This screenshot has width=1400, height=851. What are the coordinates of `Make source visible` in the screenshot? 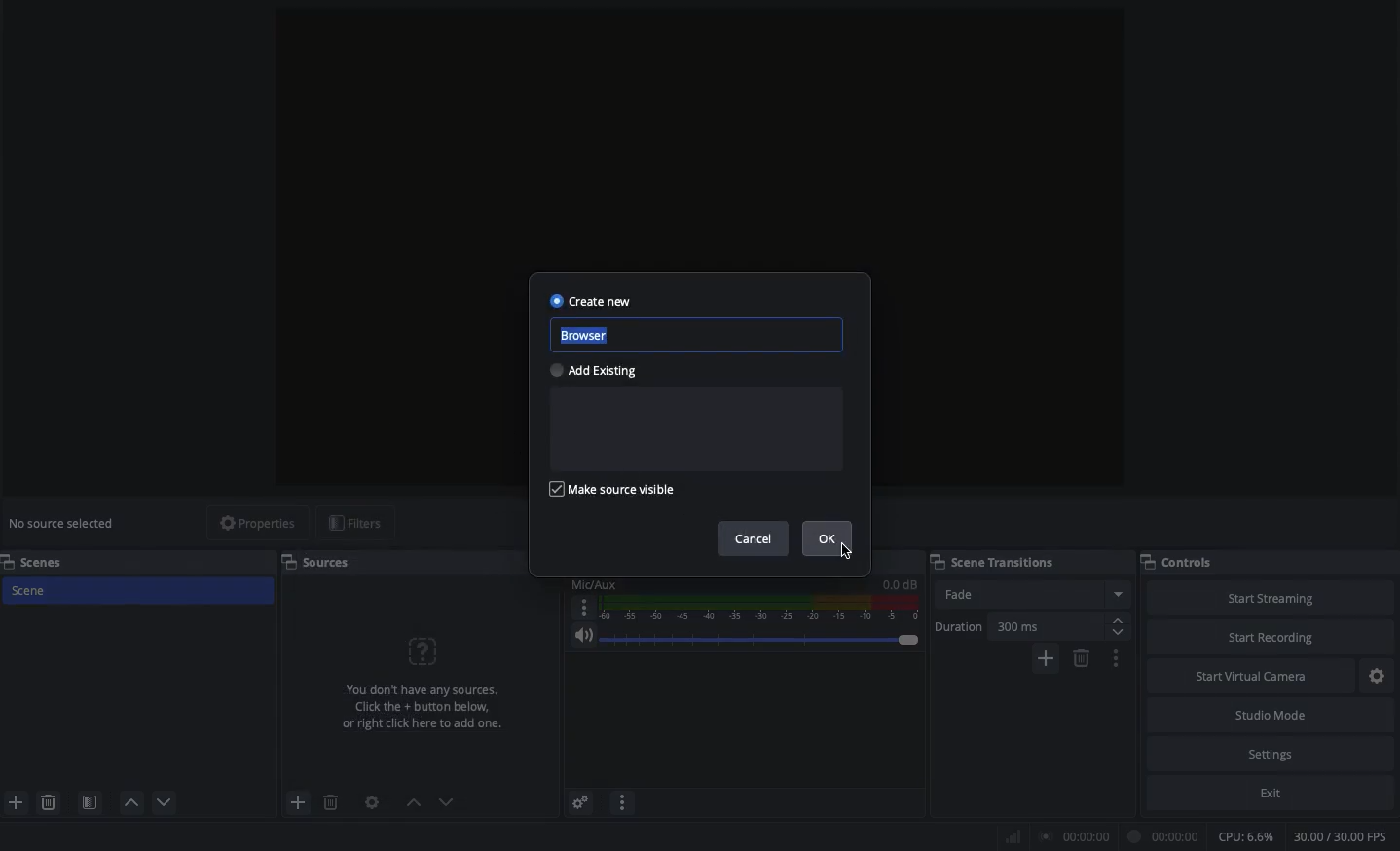 It's located at (617, 489).